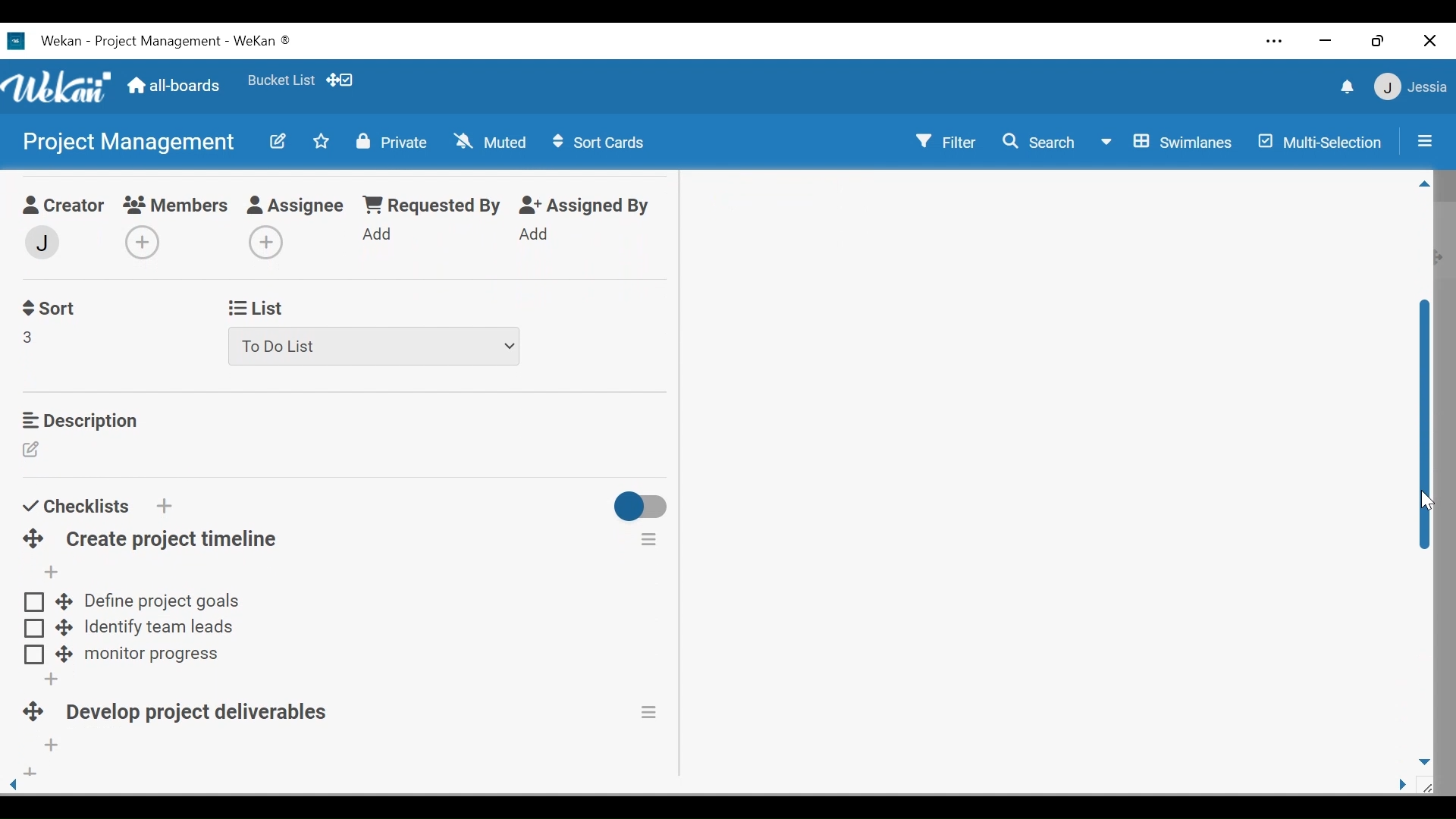  I want to click on Sort Cards, so click(601, 142).